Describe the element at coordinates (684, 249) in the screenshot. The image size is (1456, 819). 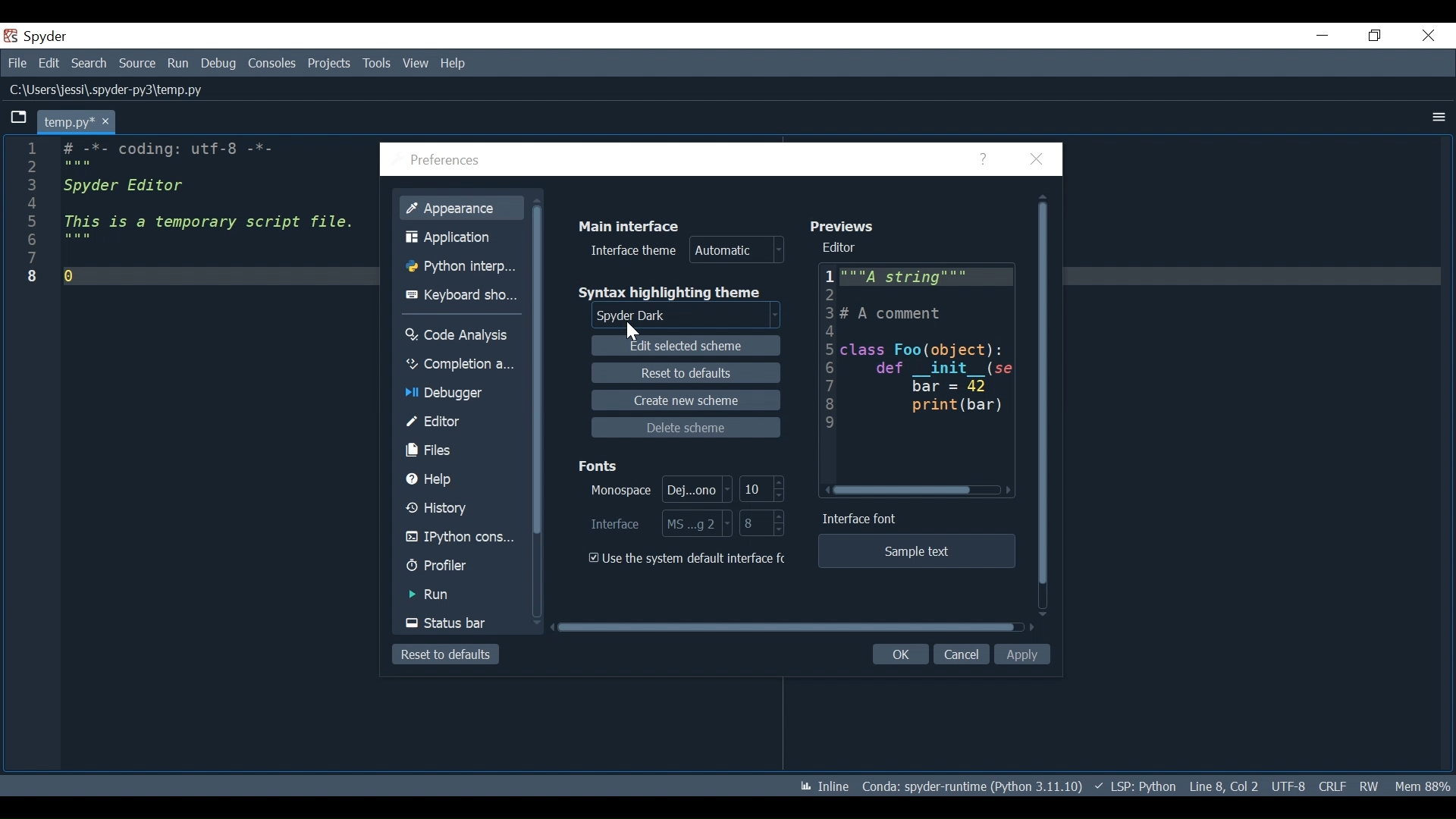
I see `Interface theme` at that location.